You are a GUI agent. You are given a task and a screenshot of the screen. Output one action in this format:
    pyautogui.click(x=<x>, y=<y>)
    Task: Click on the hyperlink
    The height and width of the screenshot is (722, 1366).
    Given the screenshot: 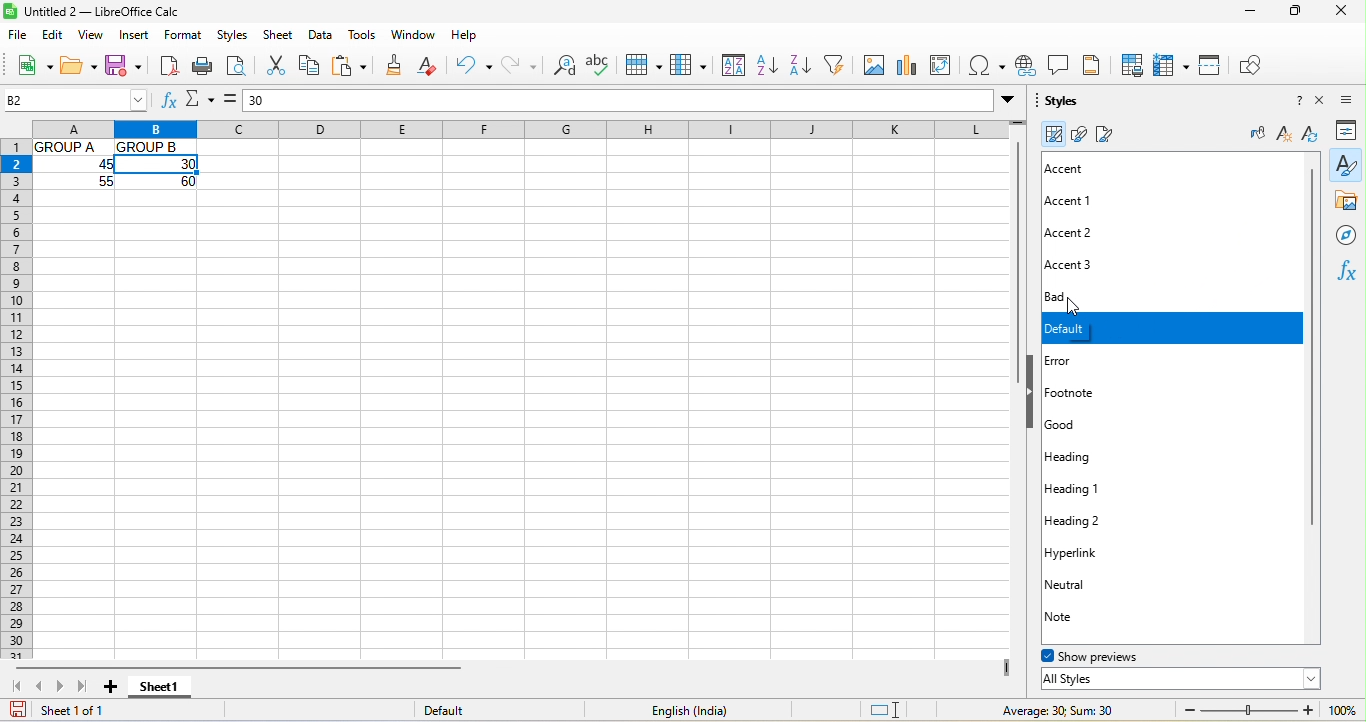 What is the action you would take?
    pyautogui.click(x=1092, y=551)
    